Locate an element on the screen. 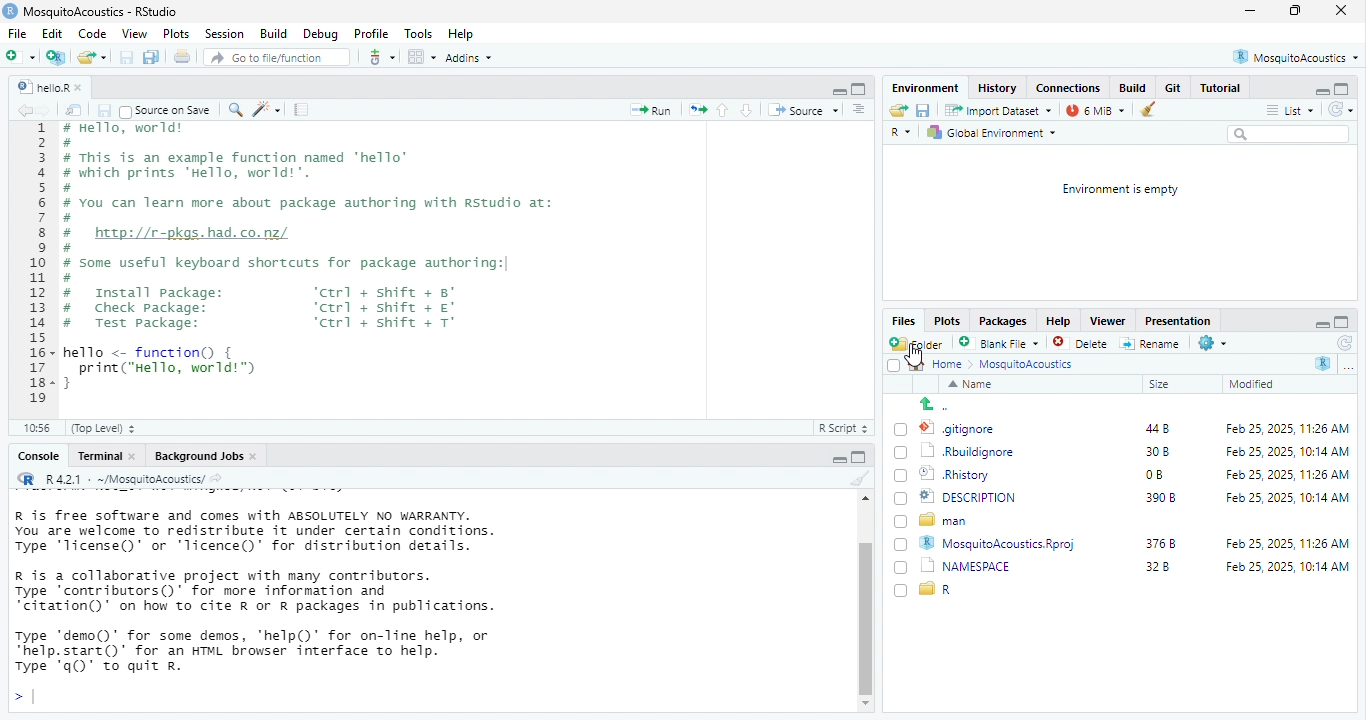 The height and width of the screenshot is (720, 1366). size is located at coordinates (1172, 385).